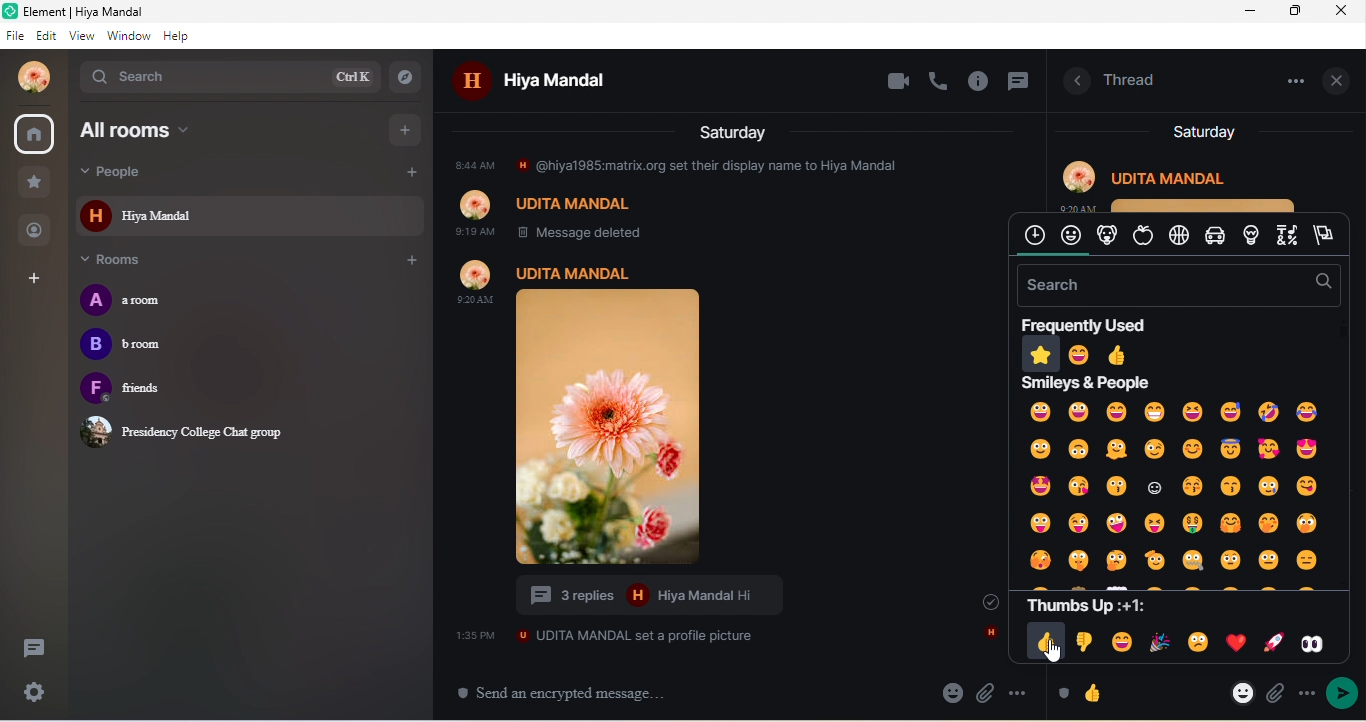  Describe the element at coordinates (28, 77) in the screenshot. I see `profile photo` at that location.